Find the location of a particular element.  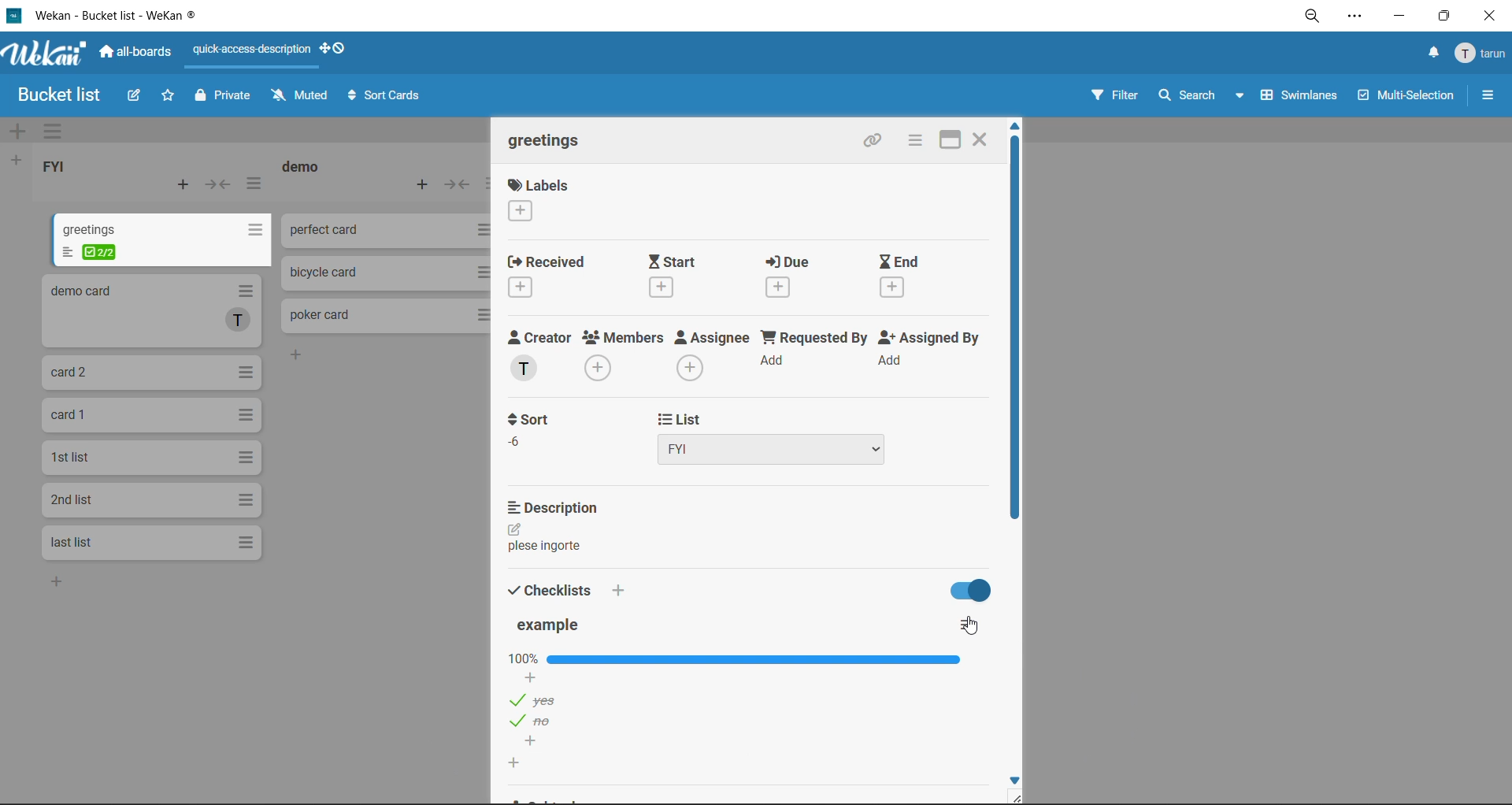

sort is located at coordinates (527, 428).